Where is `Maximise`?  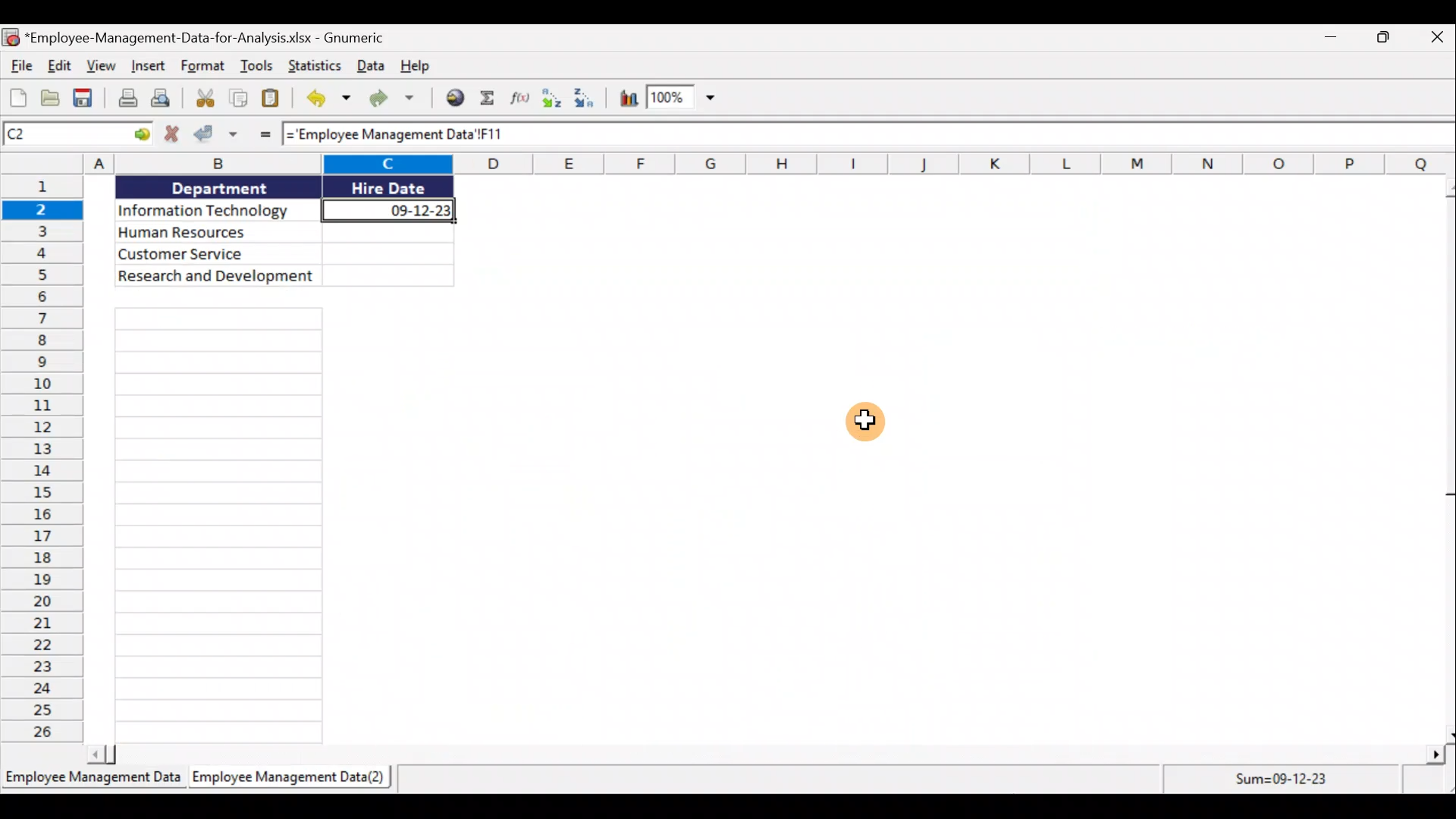
Maximise is located at coordinates (1390, 37).